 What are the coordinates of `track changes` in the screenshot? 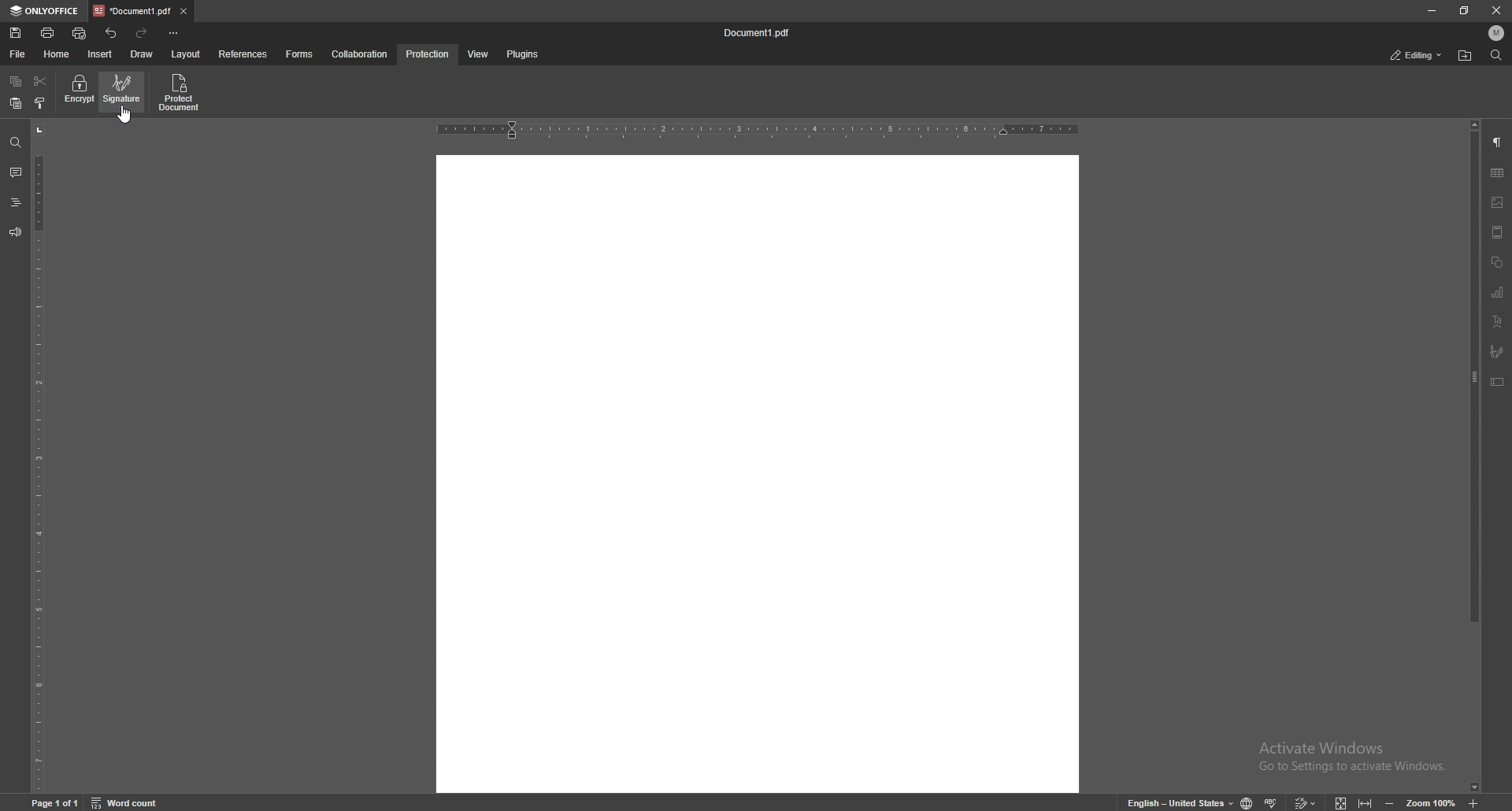 It's located at (1303, 801).